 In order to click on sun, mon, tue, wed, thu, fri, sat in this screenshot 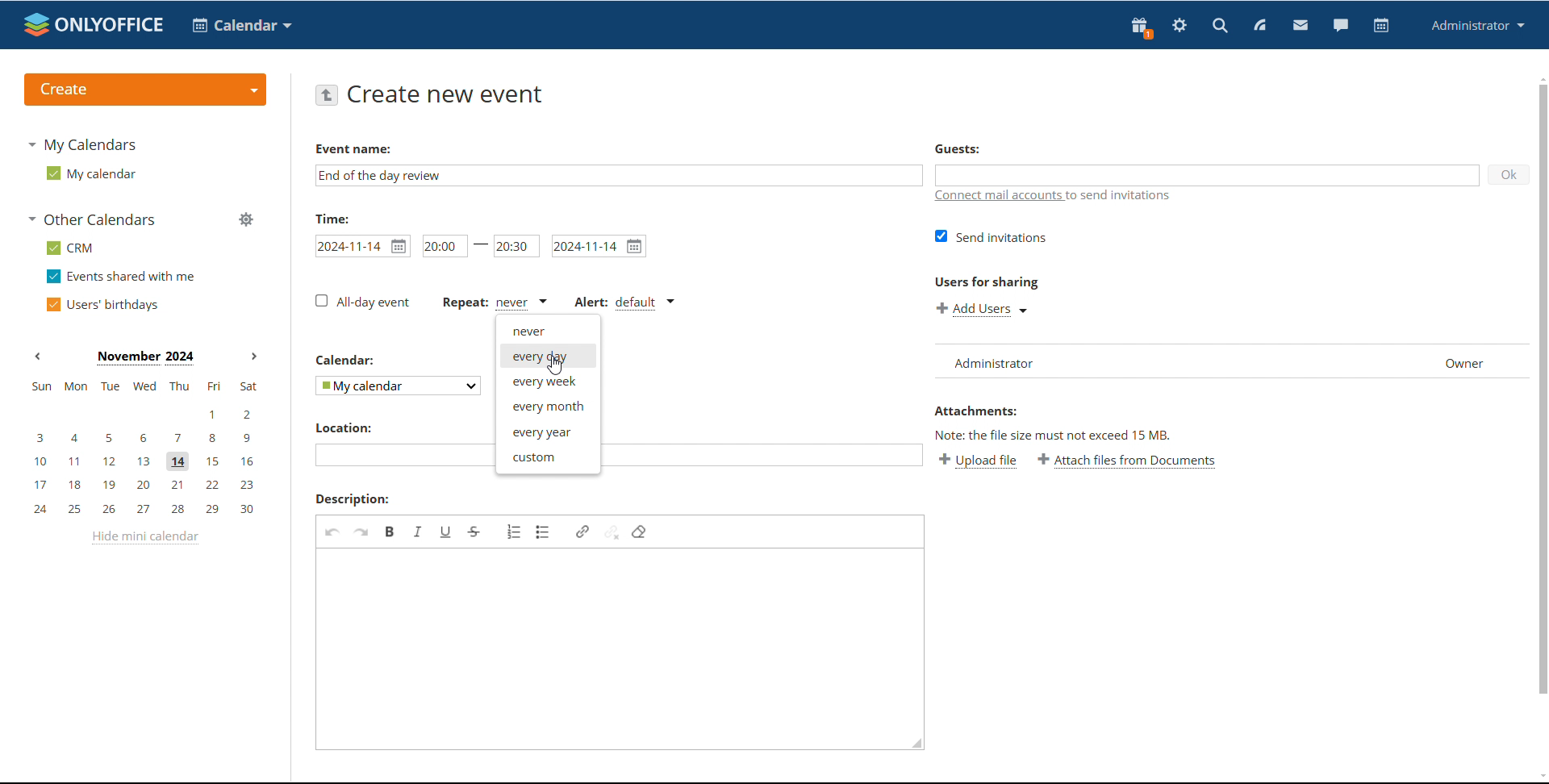, I will do `click(143, 386)`.